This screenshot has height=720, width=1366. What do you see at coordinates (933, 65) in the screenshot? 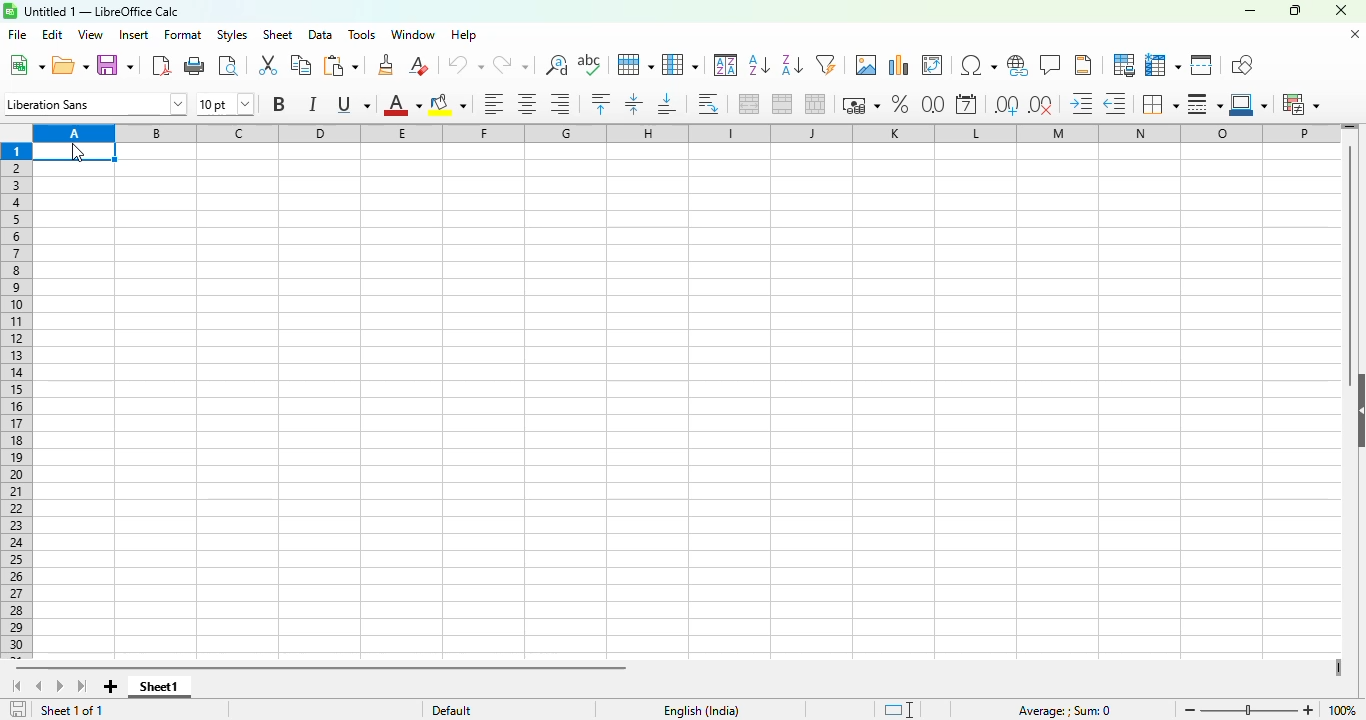
I see `insert or edit pivot table` at bounding box center [933, 65].